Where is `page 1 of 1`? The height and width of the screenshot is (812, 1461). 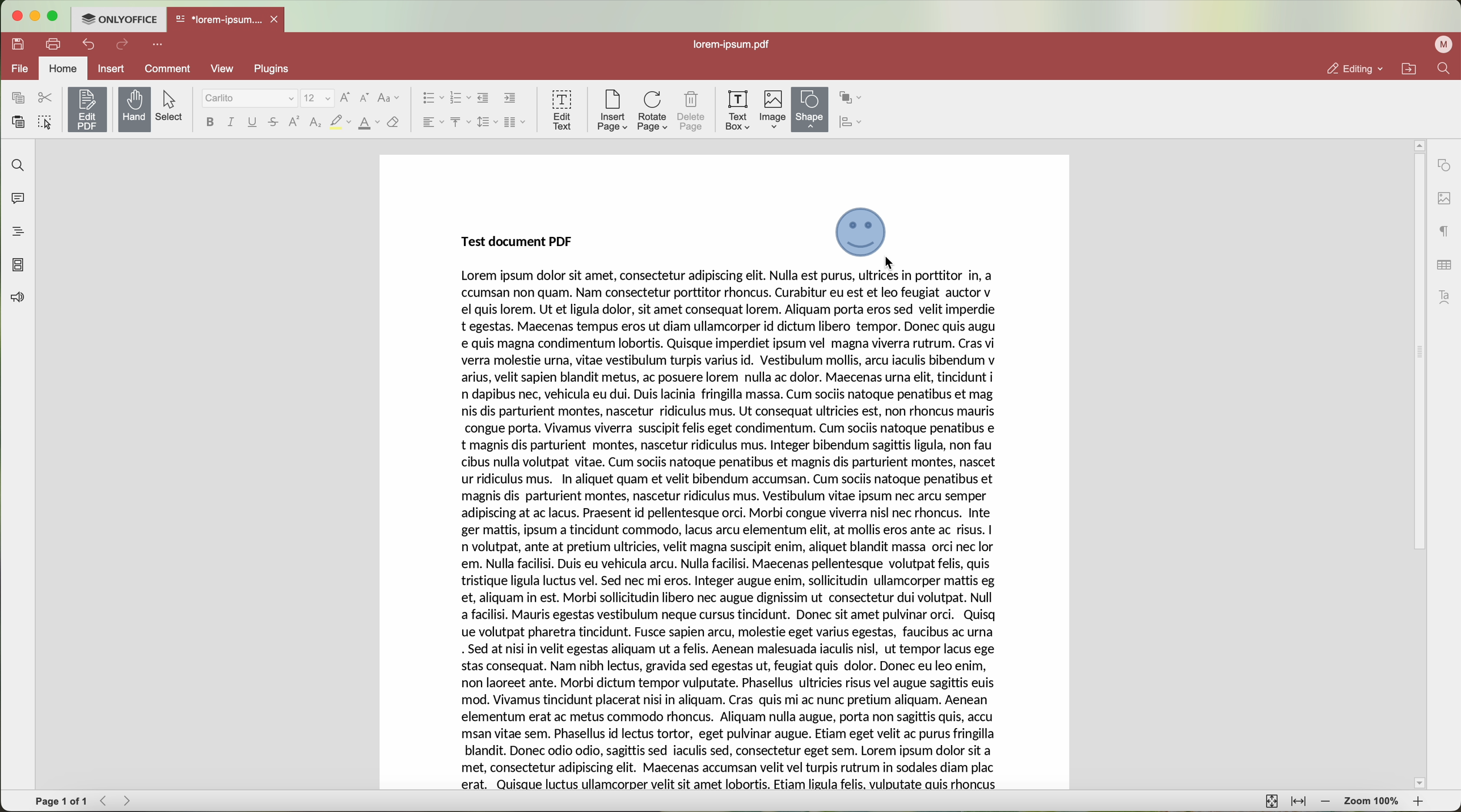 page 1 of 1 is located at coordinates (62, 802).